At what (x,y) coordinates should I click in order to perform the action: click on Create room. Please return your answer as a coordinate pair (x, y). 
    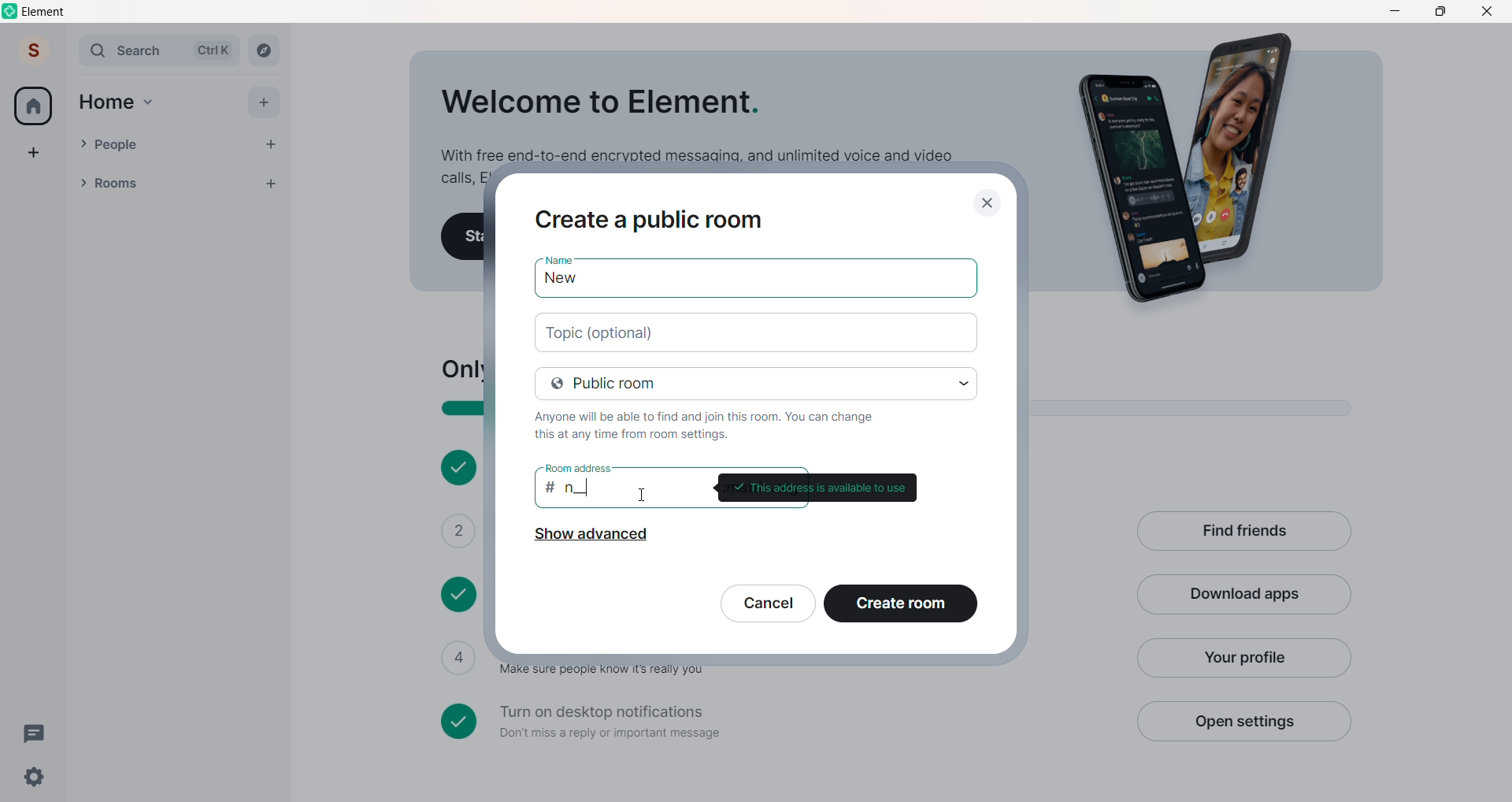
    Looking at the image, I should click on (900, 603).